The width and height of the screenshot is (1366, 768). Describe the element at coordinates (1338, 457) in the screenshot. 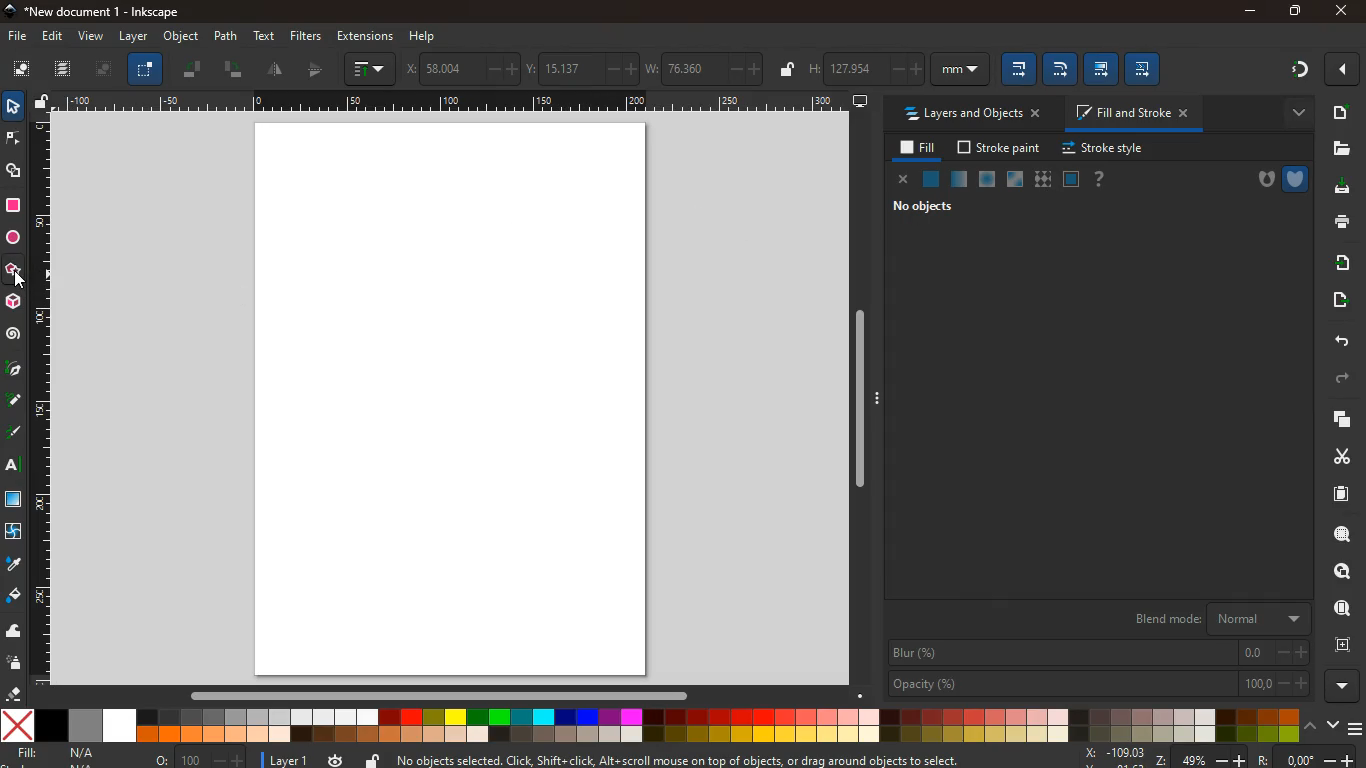

I see `cut` at that location.